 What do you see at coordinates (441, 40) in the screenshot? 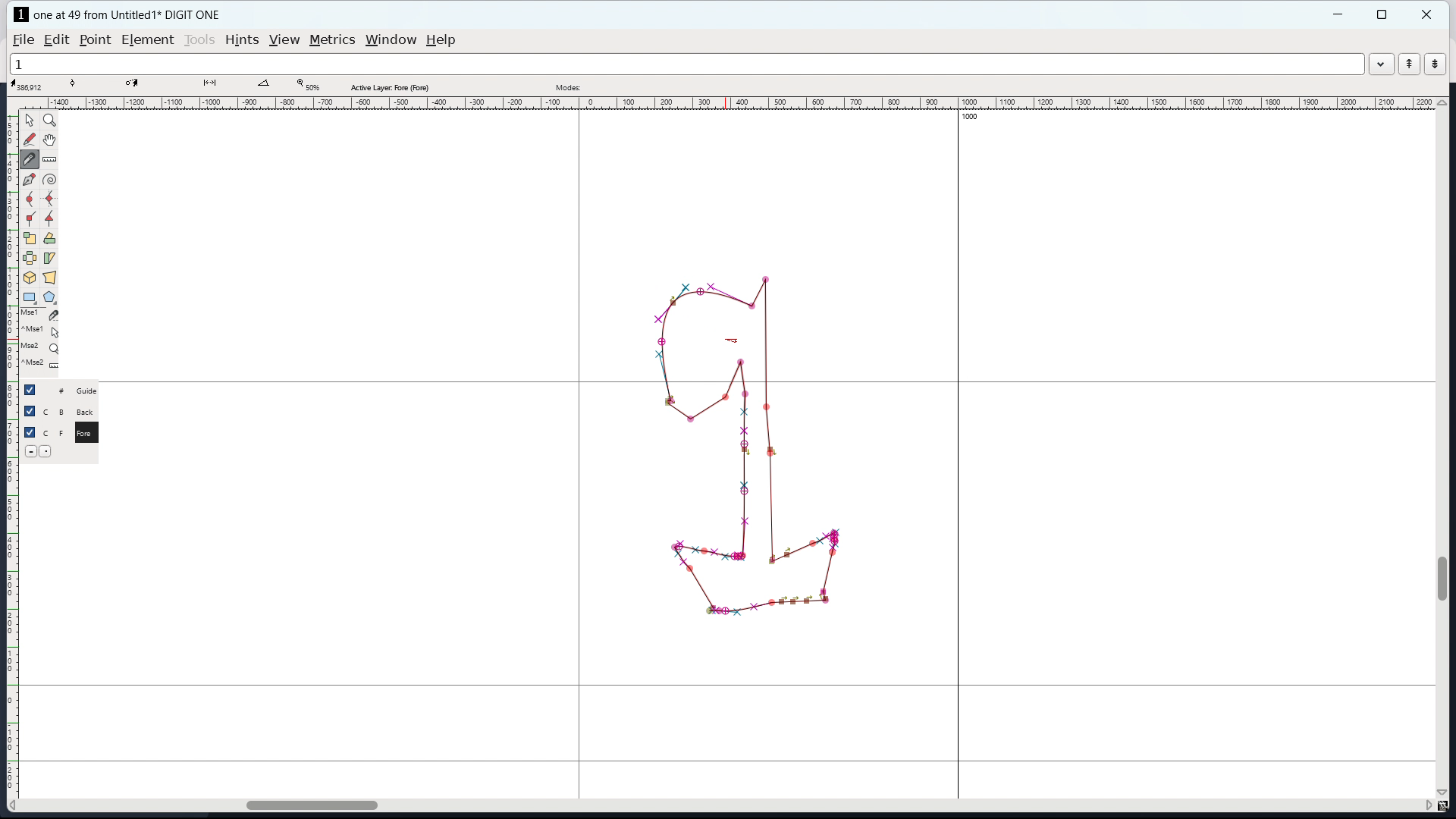
I see `help` at bounding box center [441, 40].